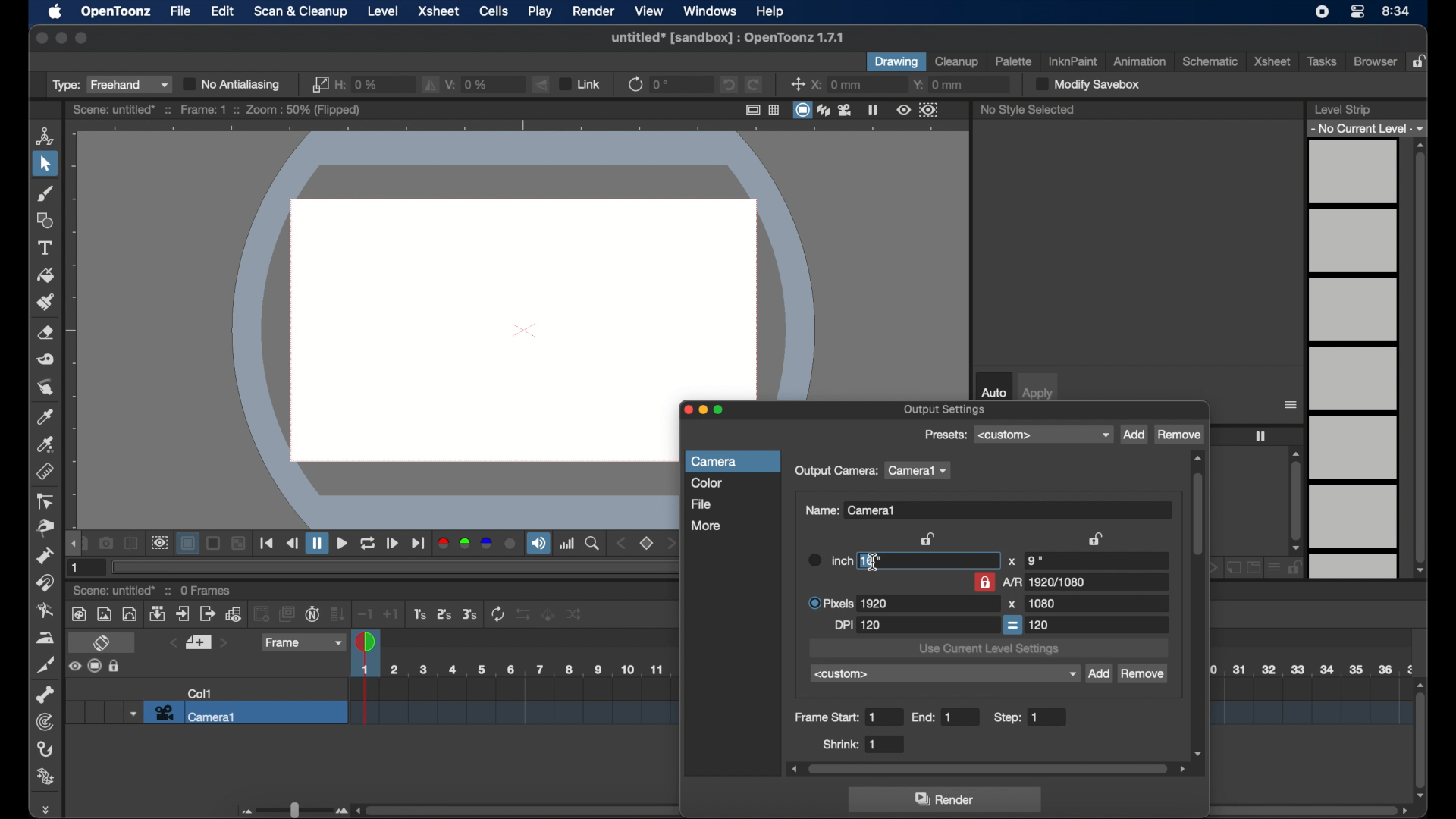 This screenshot has height=819, width=1456. Describe the element at coordinates (383, 11) in the screenshot. I see `level` at that location.